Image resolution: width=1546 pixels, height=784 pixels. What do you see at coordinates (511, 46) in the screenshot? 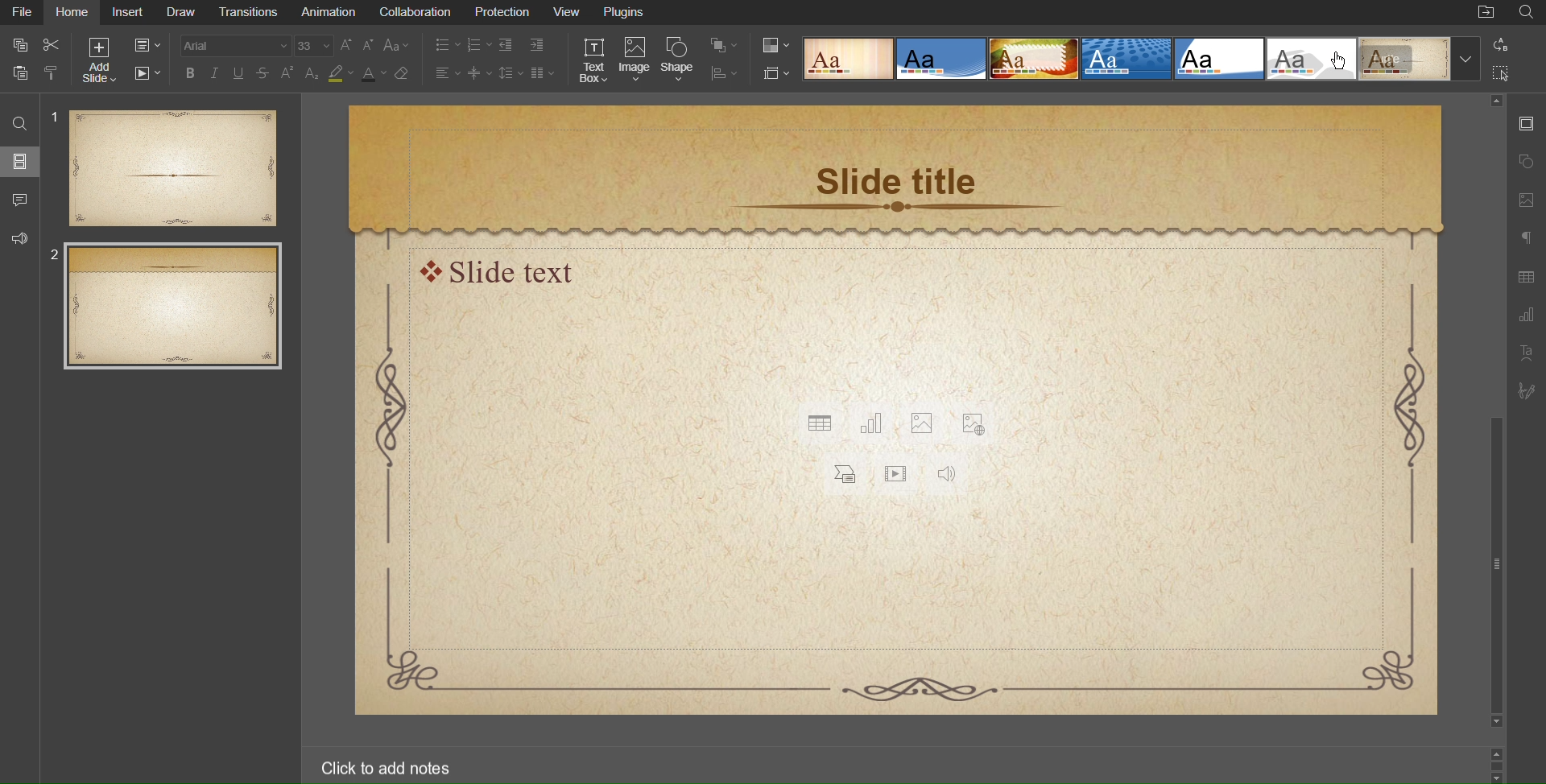
I see `Decrease Indent` at bounding box center [511, 46].